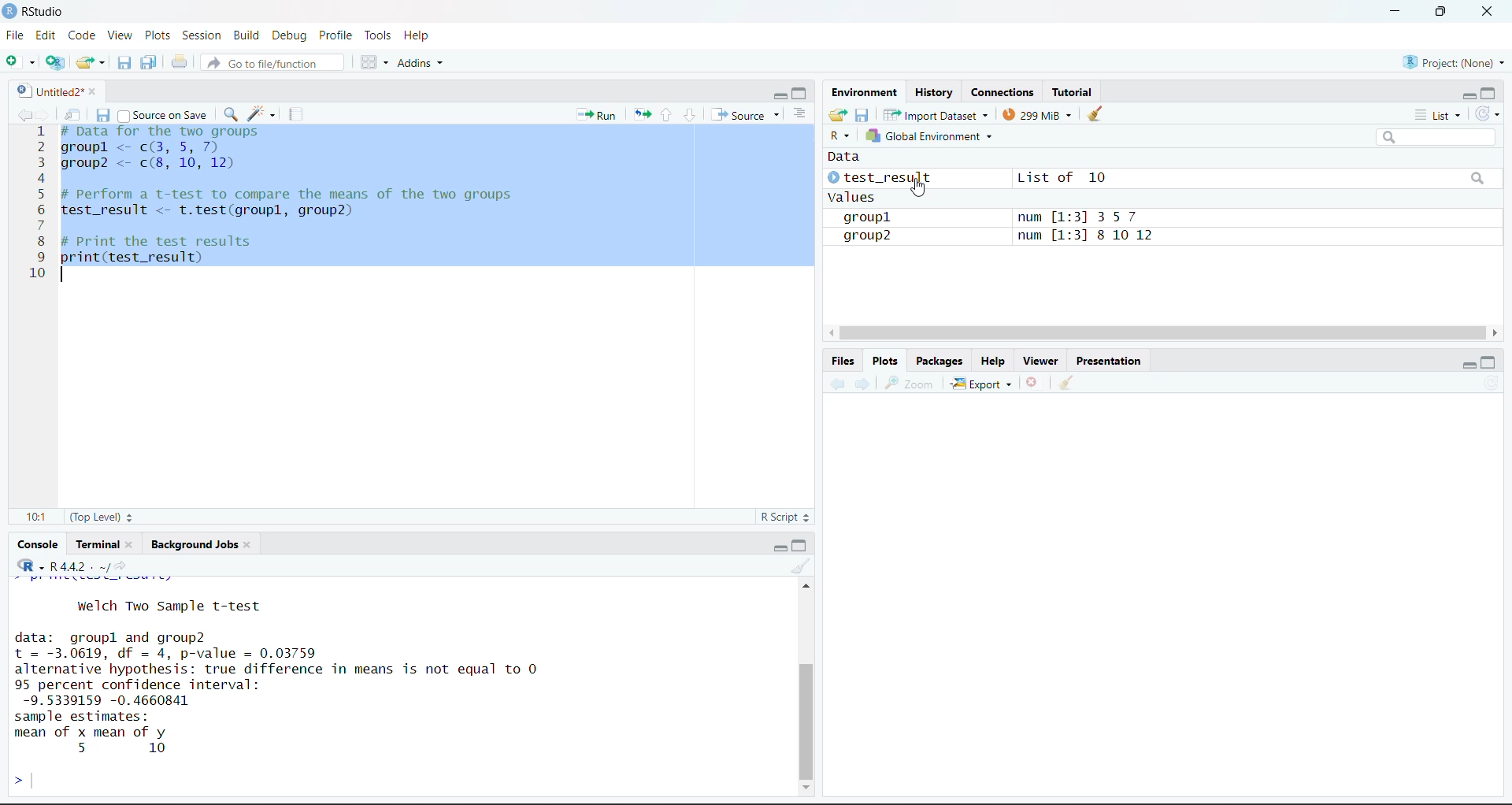 The image size is (1512, 805). I want to click on Viewer, so click(1043, 359).